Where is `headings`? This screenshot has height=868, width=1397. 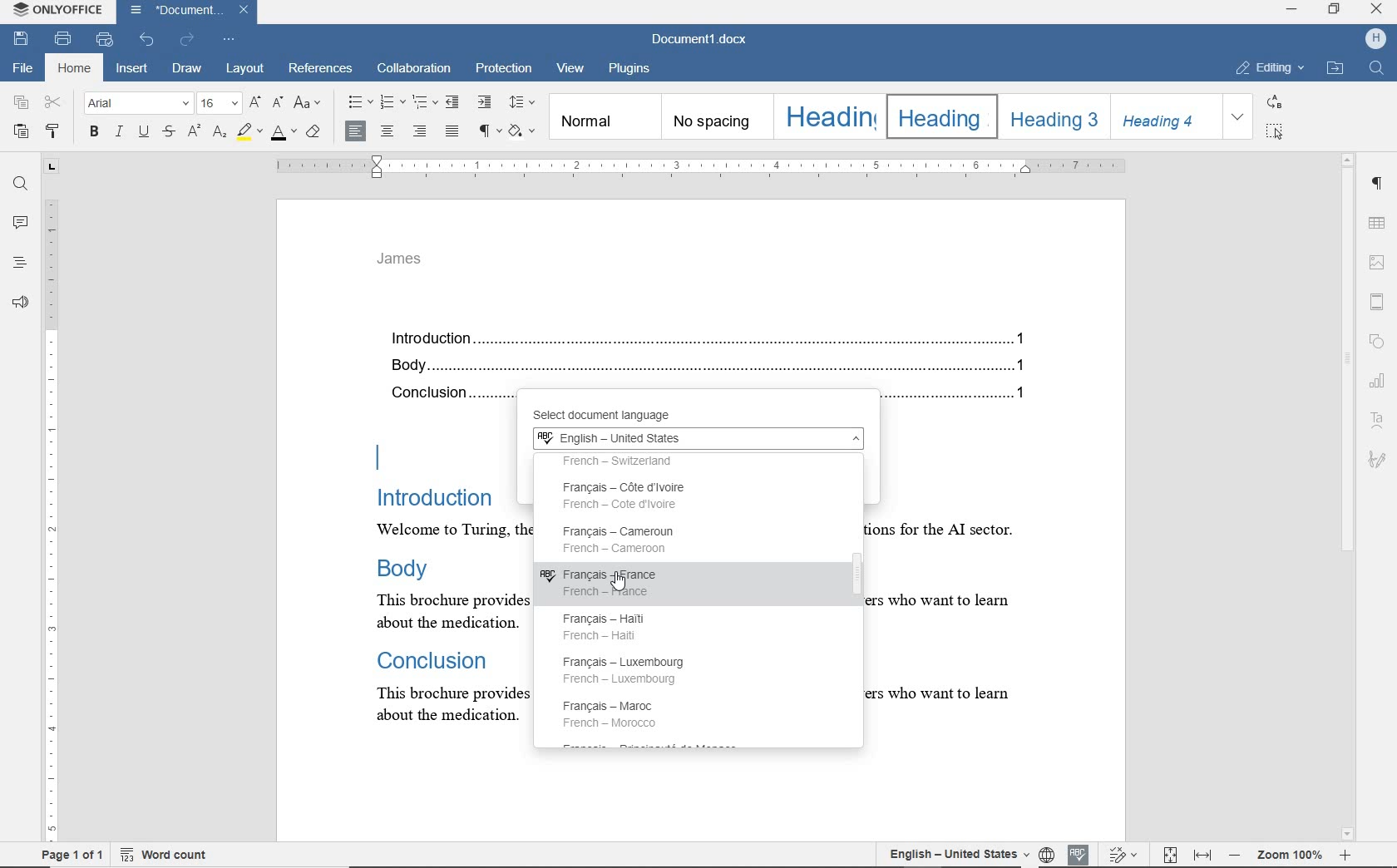
headings is located at coordinates (19, 264).